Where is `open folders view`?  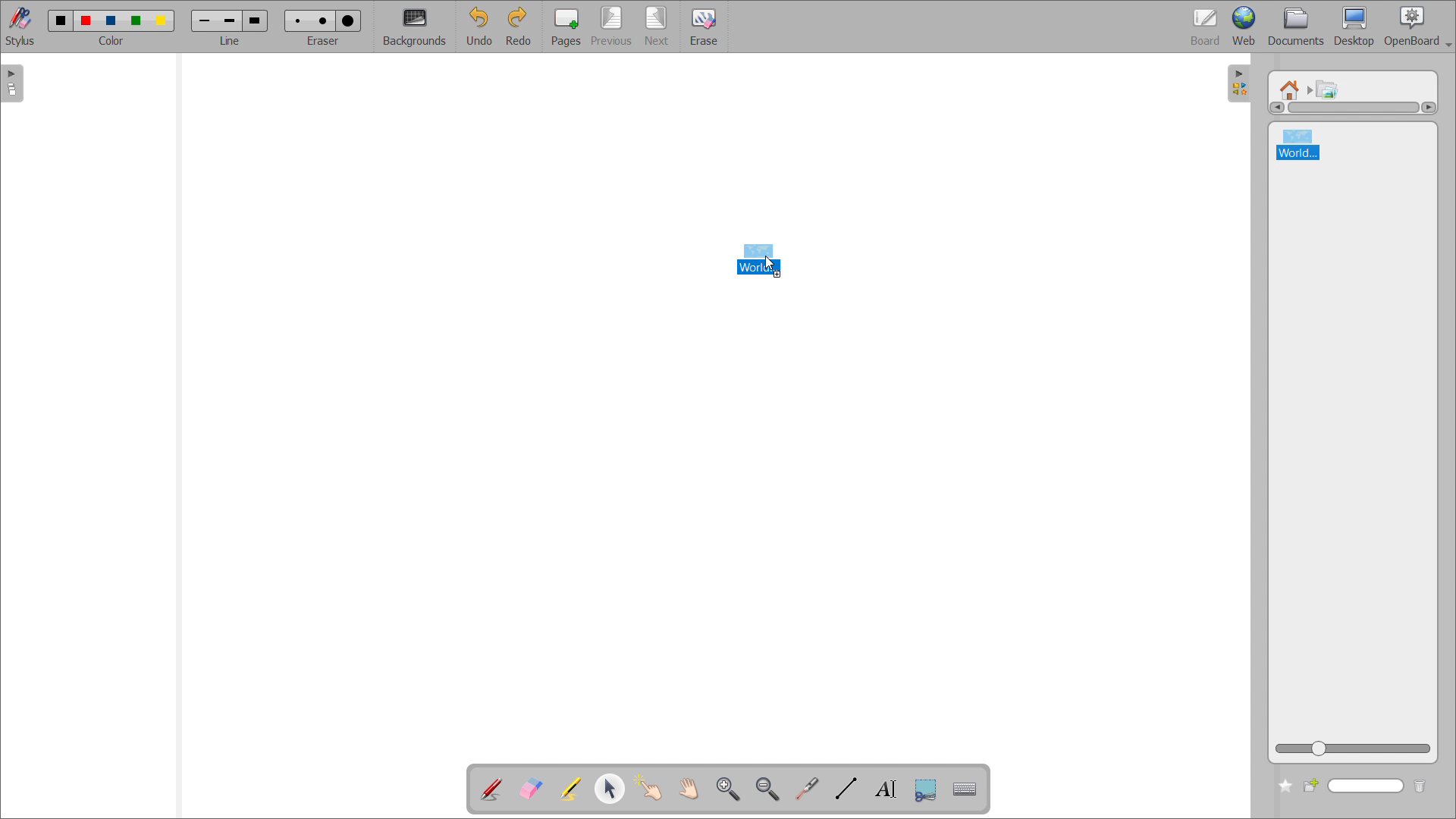 open folders view is located at coordinates (1238, 83).